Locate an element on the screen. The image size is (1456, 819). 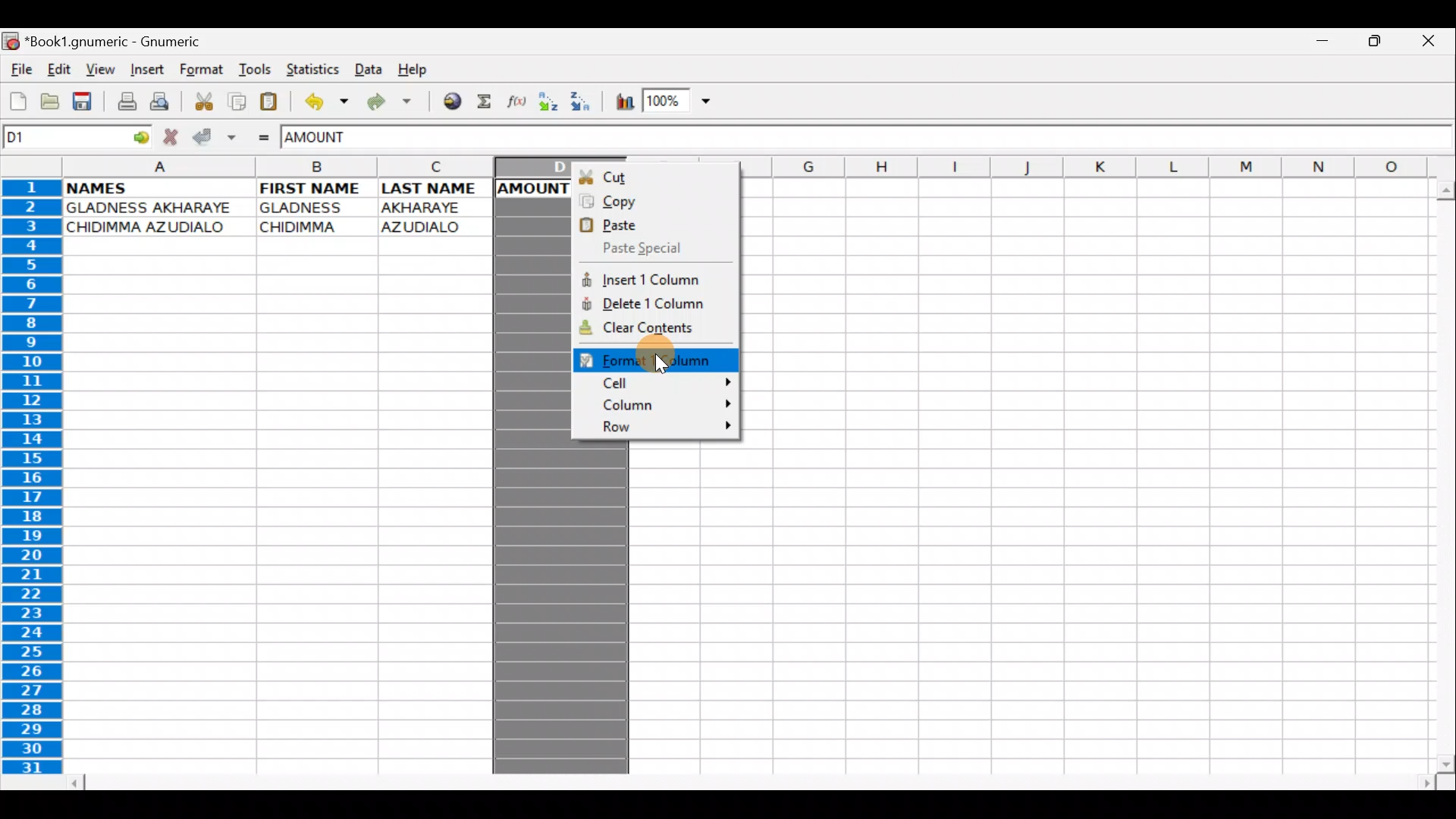
Copy selection is located at coordinates (234, 101).